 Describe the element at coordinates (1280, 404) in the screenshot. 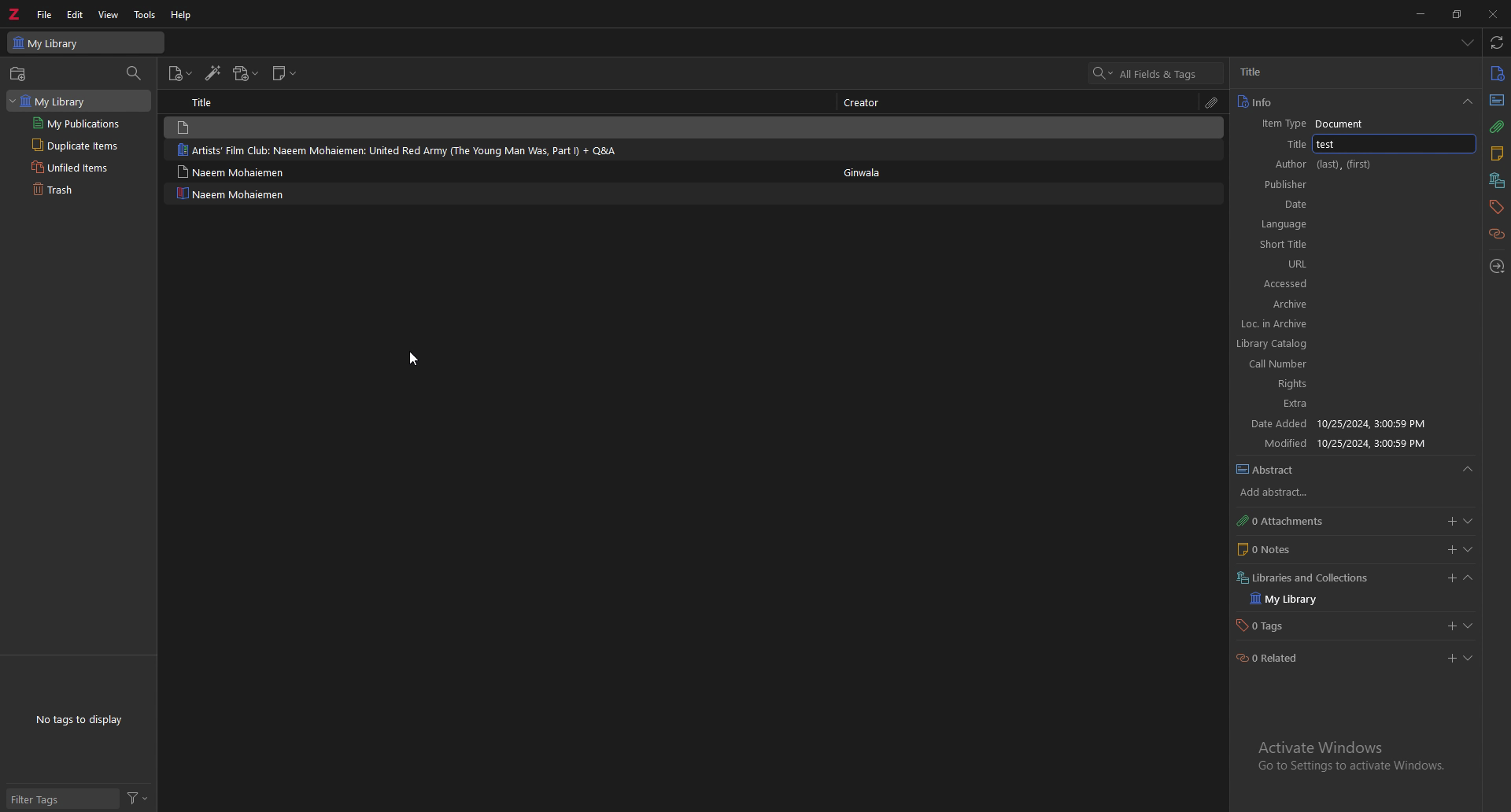

I see `short title` at that location.